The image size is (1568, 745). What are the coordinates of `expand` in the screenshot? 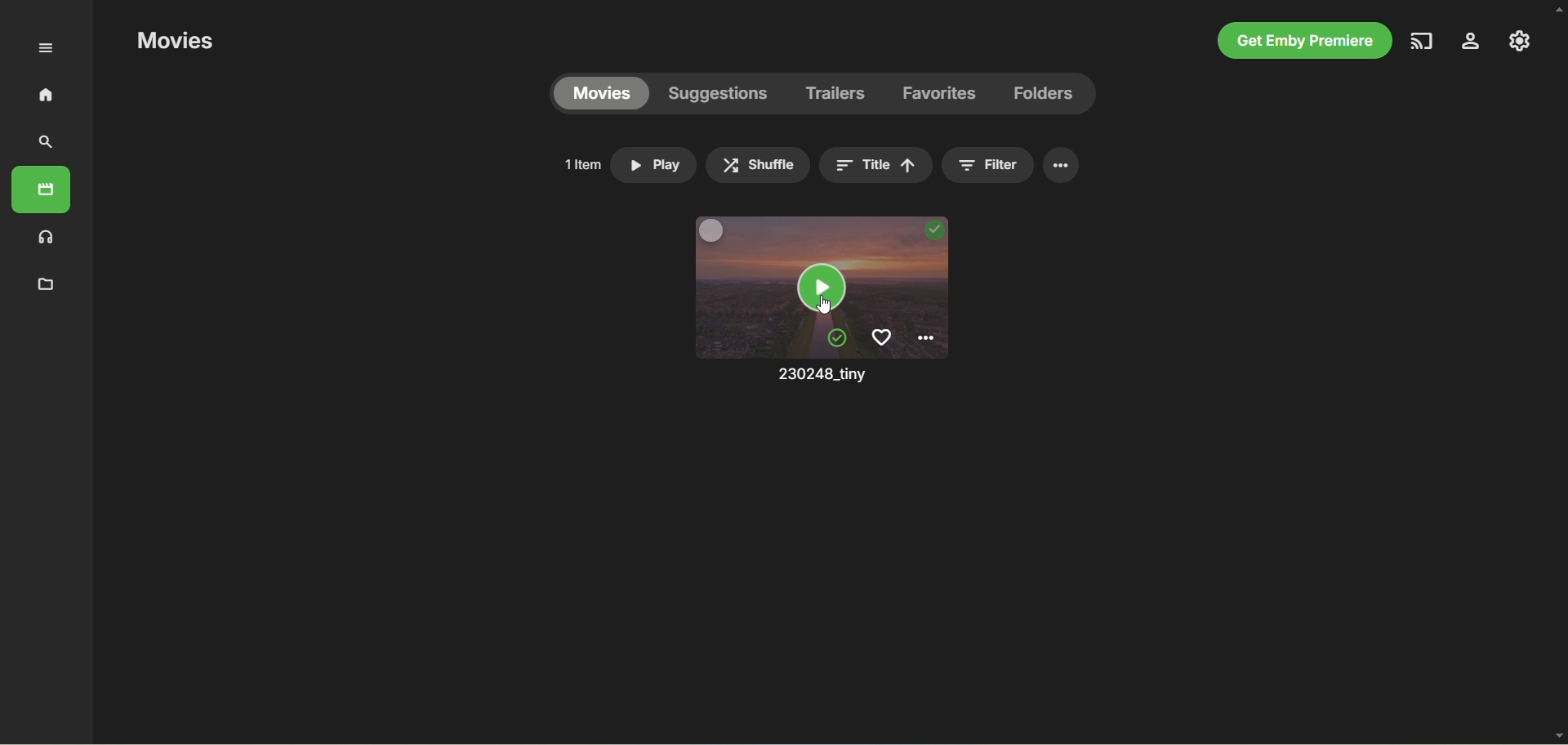 It's located at (42, 49).